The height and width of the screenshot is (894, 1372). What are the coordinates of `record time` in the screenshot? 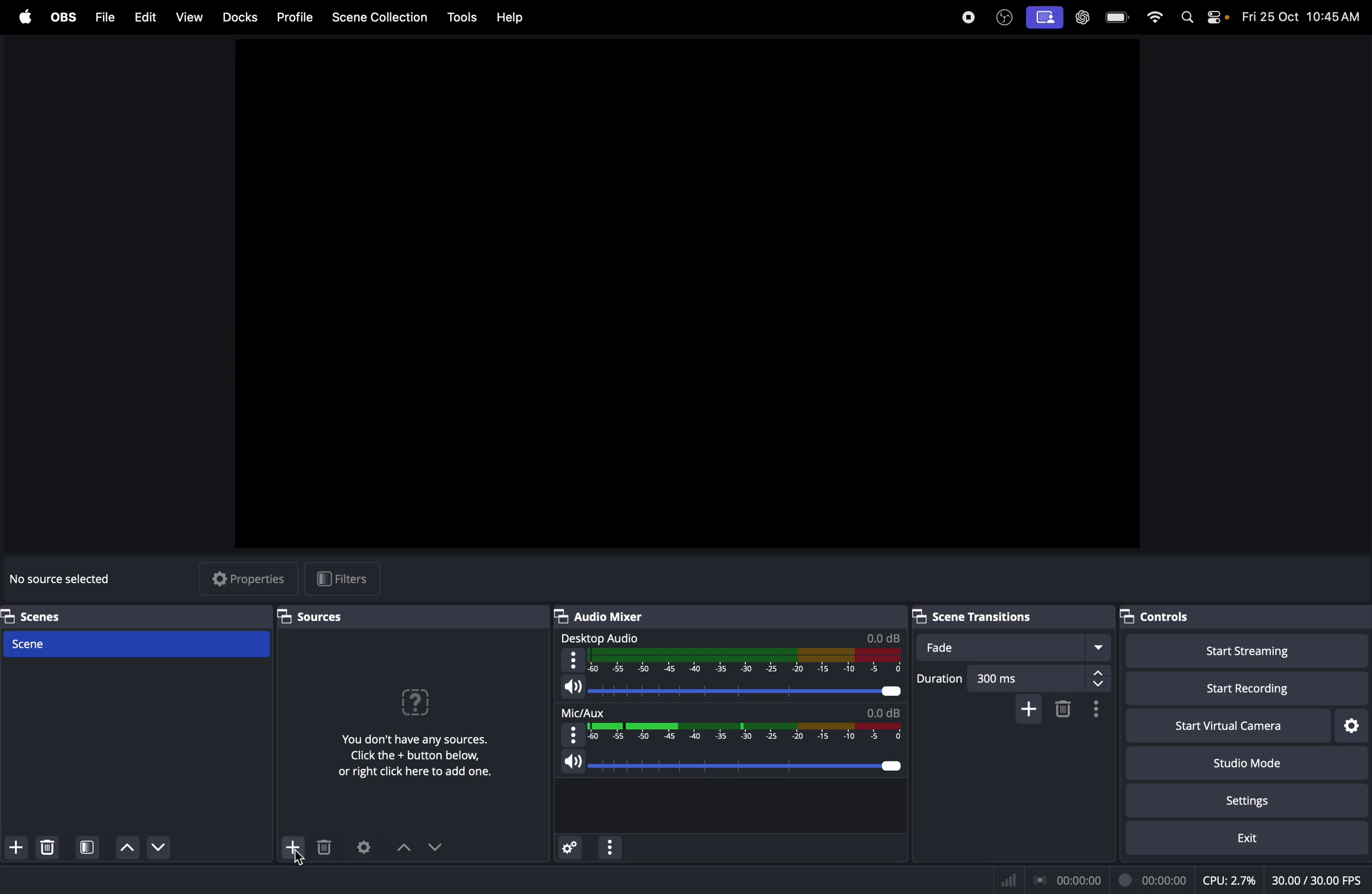 It's located at (1113, 880).